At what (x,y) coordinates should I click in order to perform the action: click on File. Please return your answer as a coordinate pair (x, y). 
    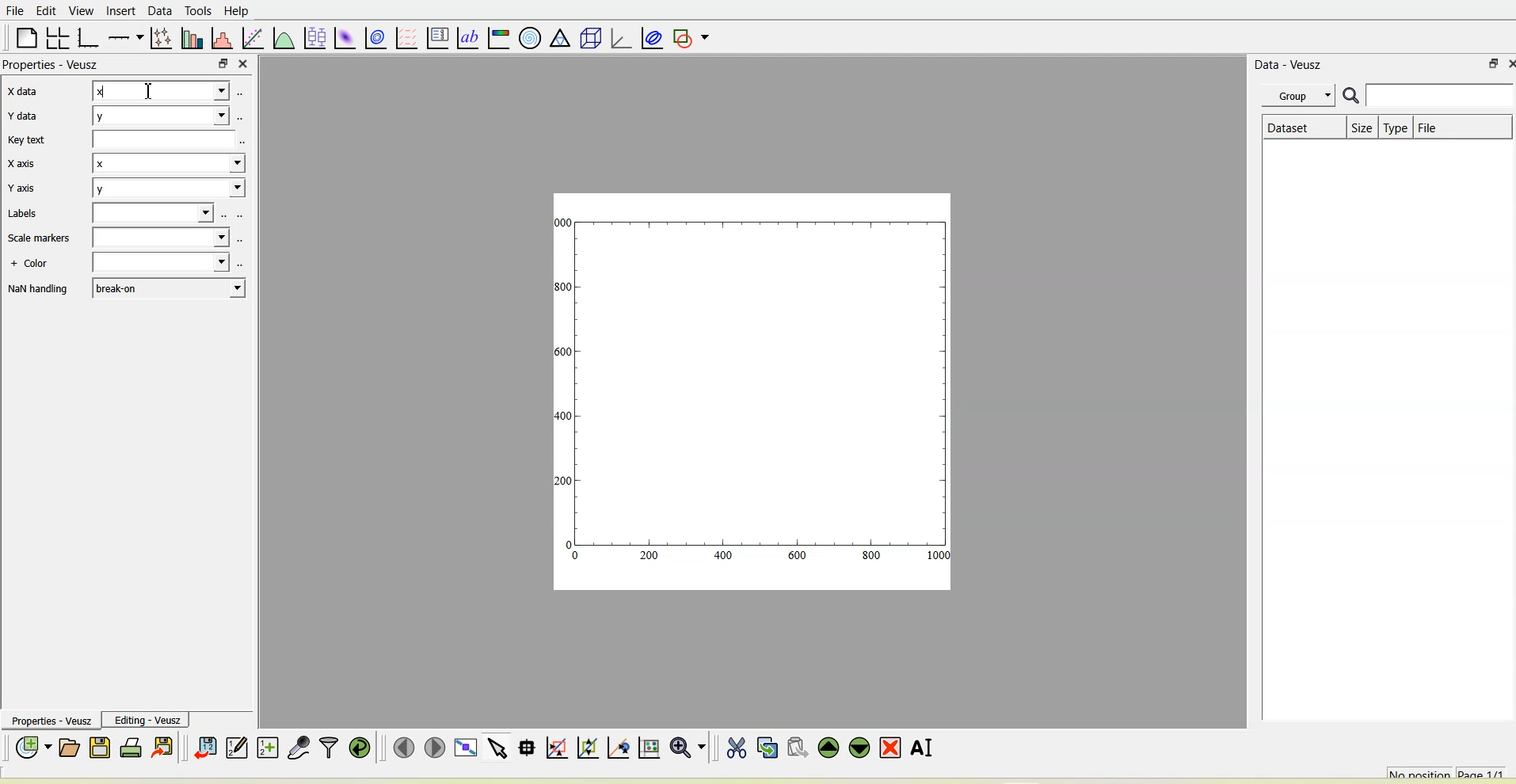
    Looking at the image, I should click on (1431, 127).